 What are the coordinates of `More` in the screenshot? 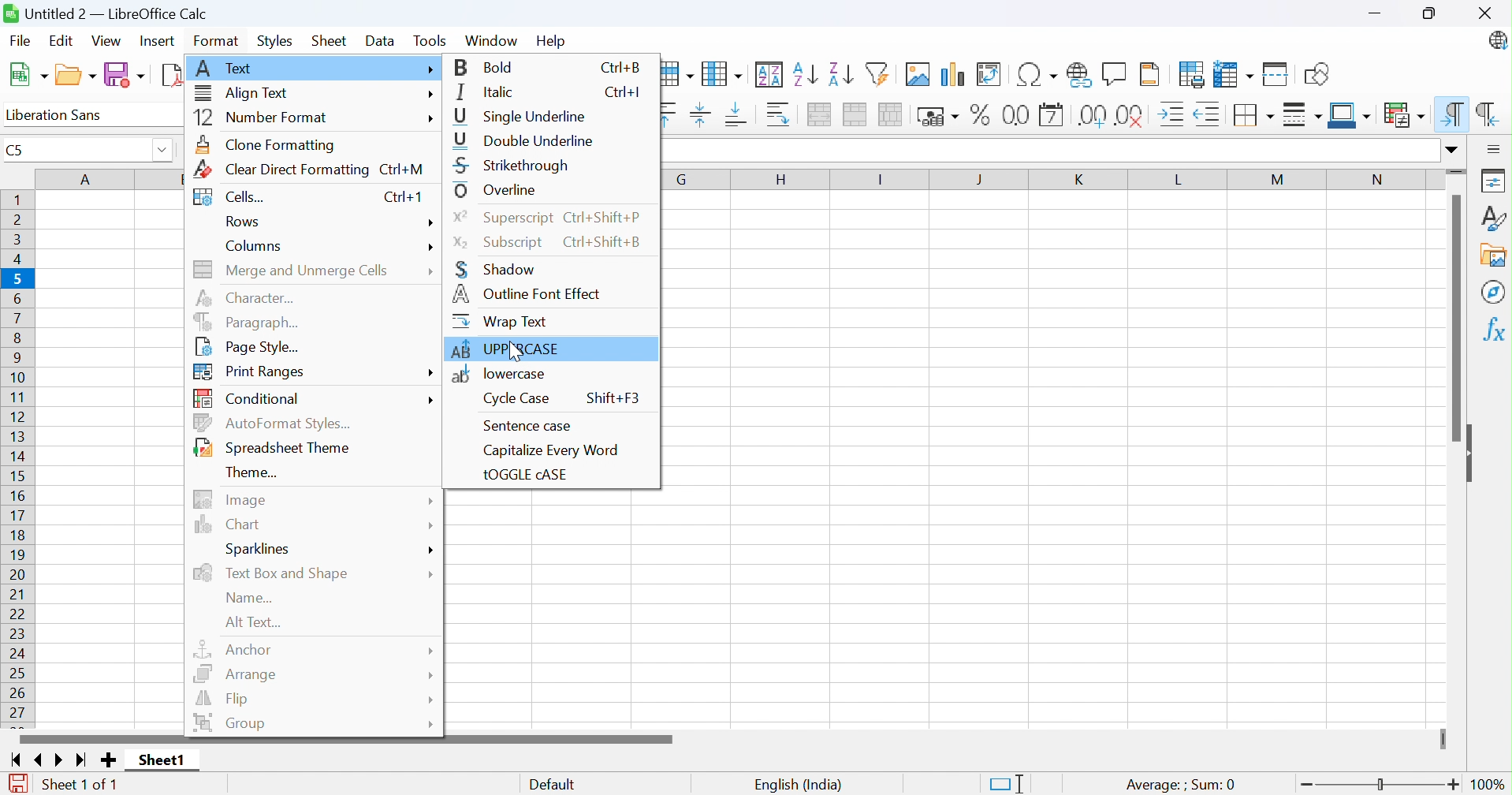 It's located at (429, 725).